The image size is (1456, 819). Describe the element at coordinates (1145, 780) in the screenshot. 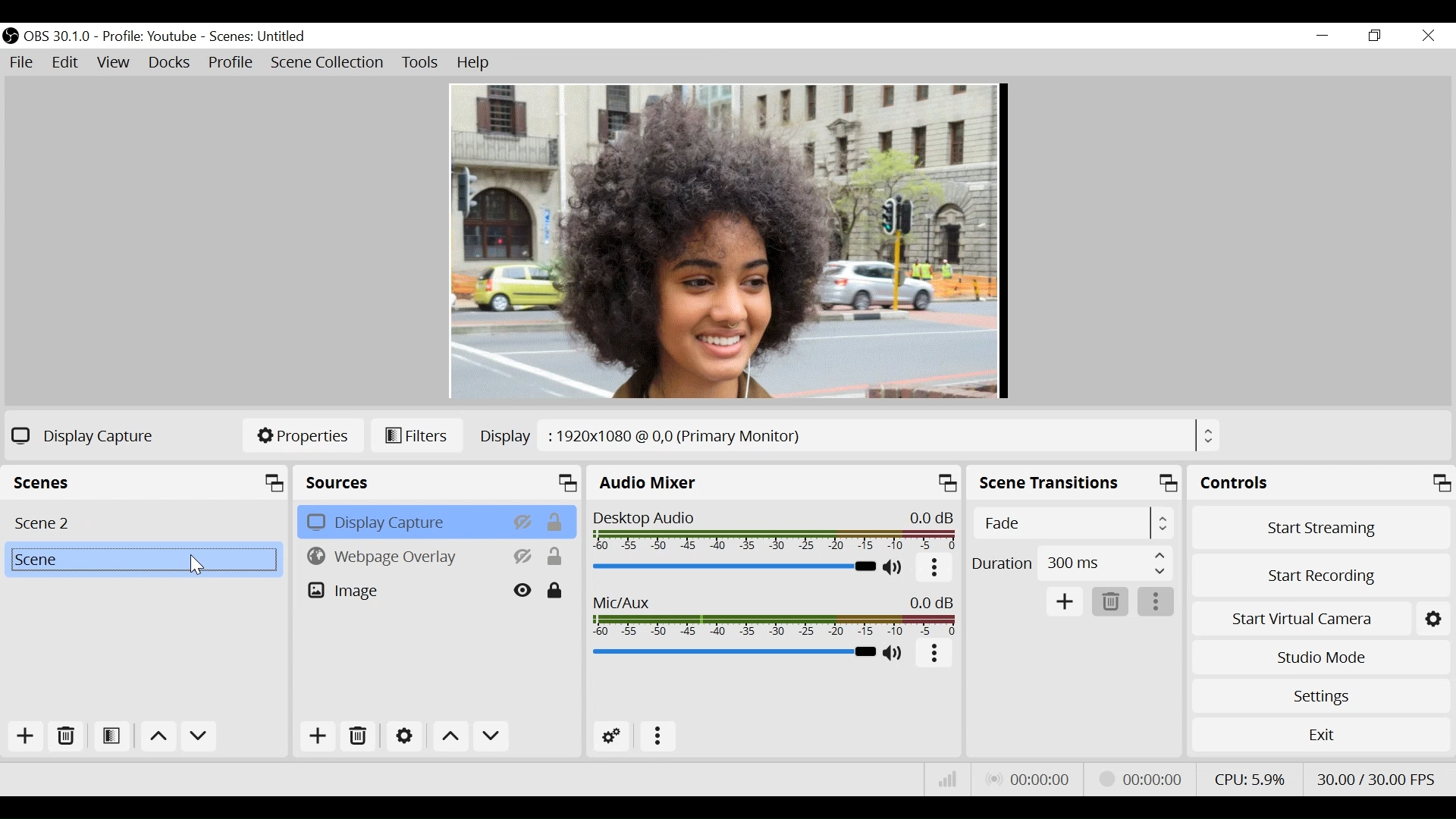

I see `Streaming Status` at that location.